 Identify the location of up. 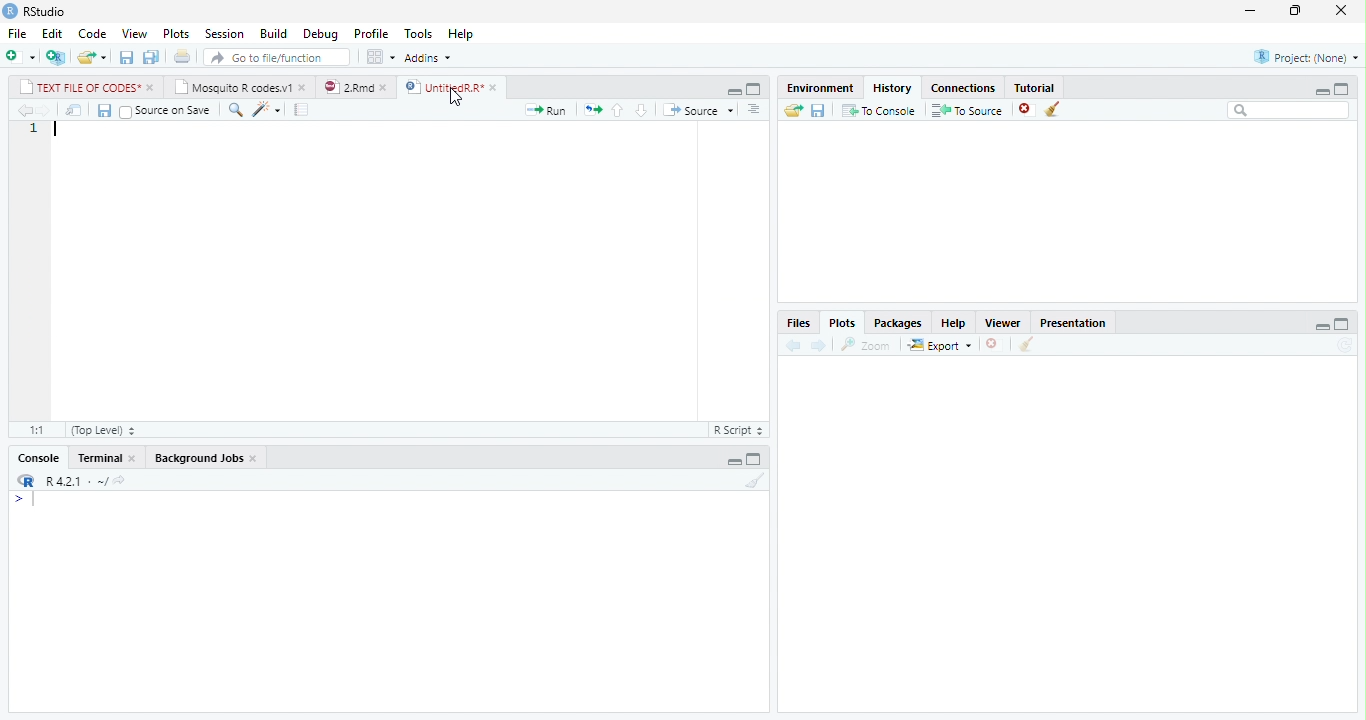
(618, 111).